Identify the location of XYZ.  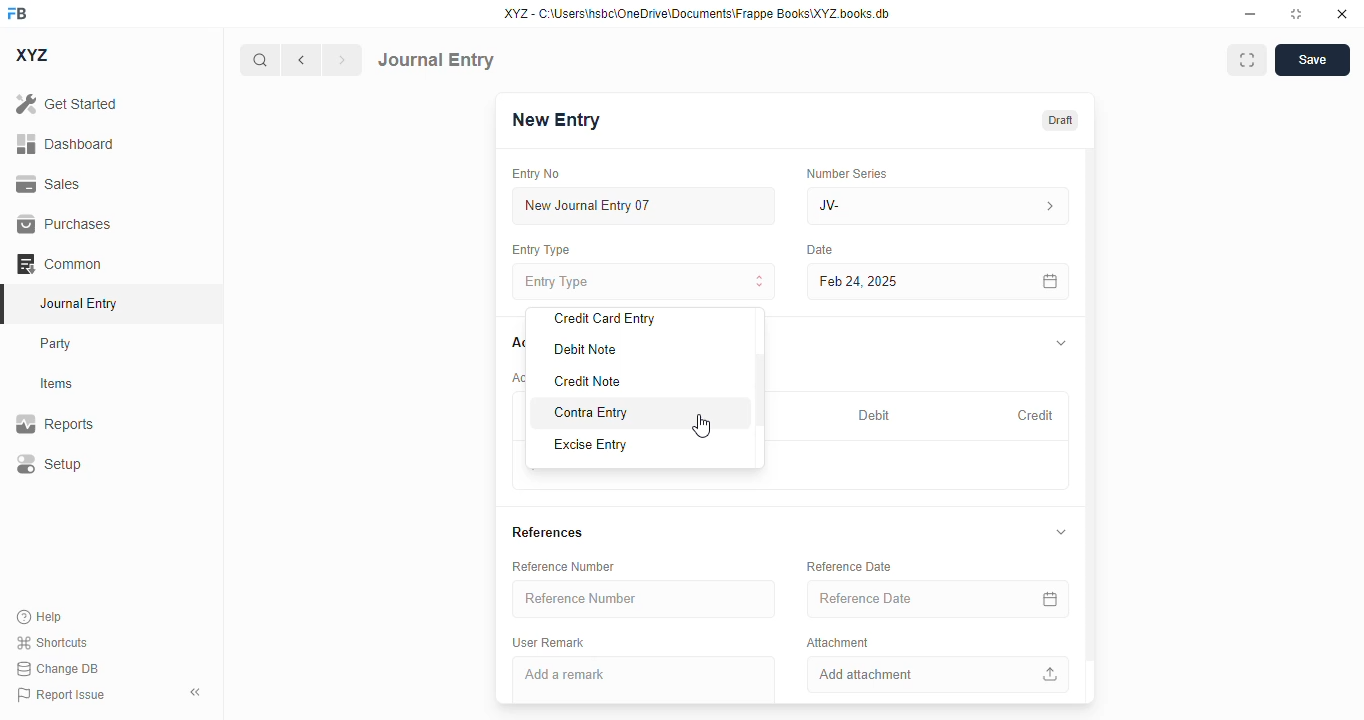
(31, 55).